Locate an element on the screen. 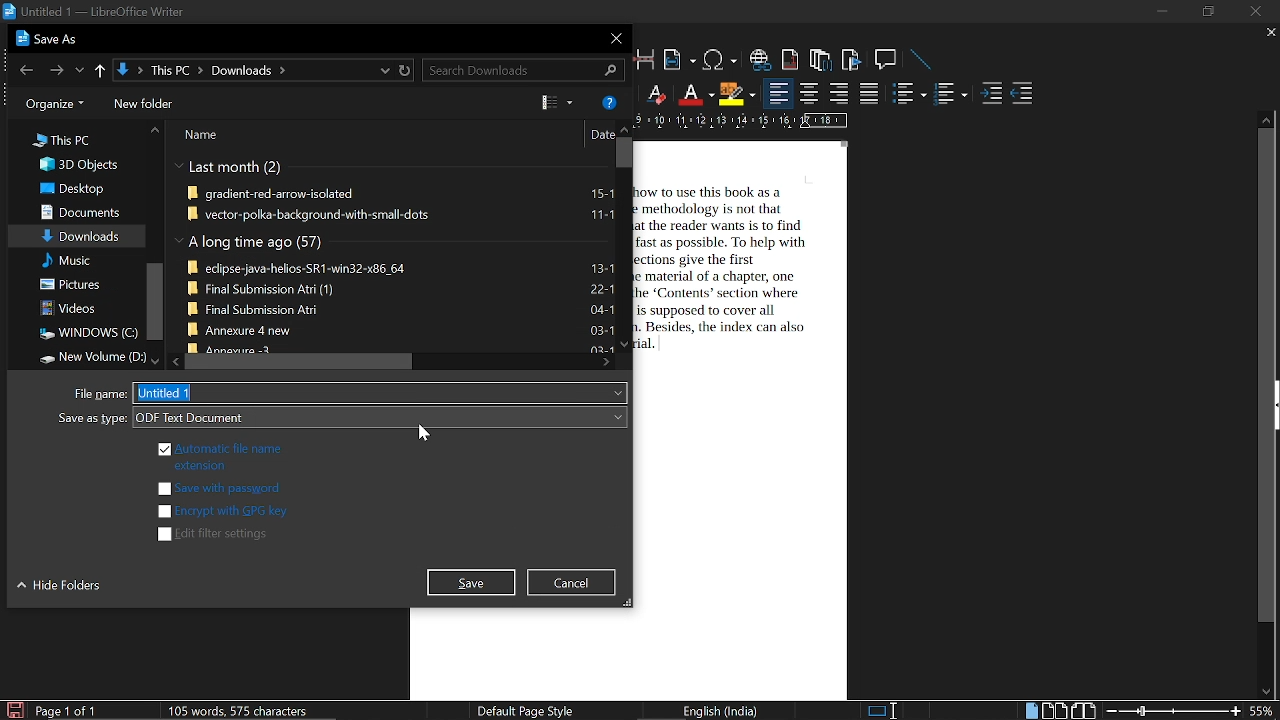 The image size is (1280, 720). book view is located at coordinates (1083, 711).